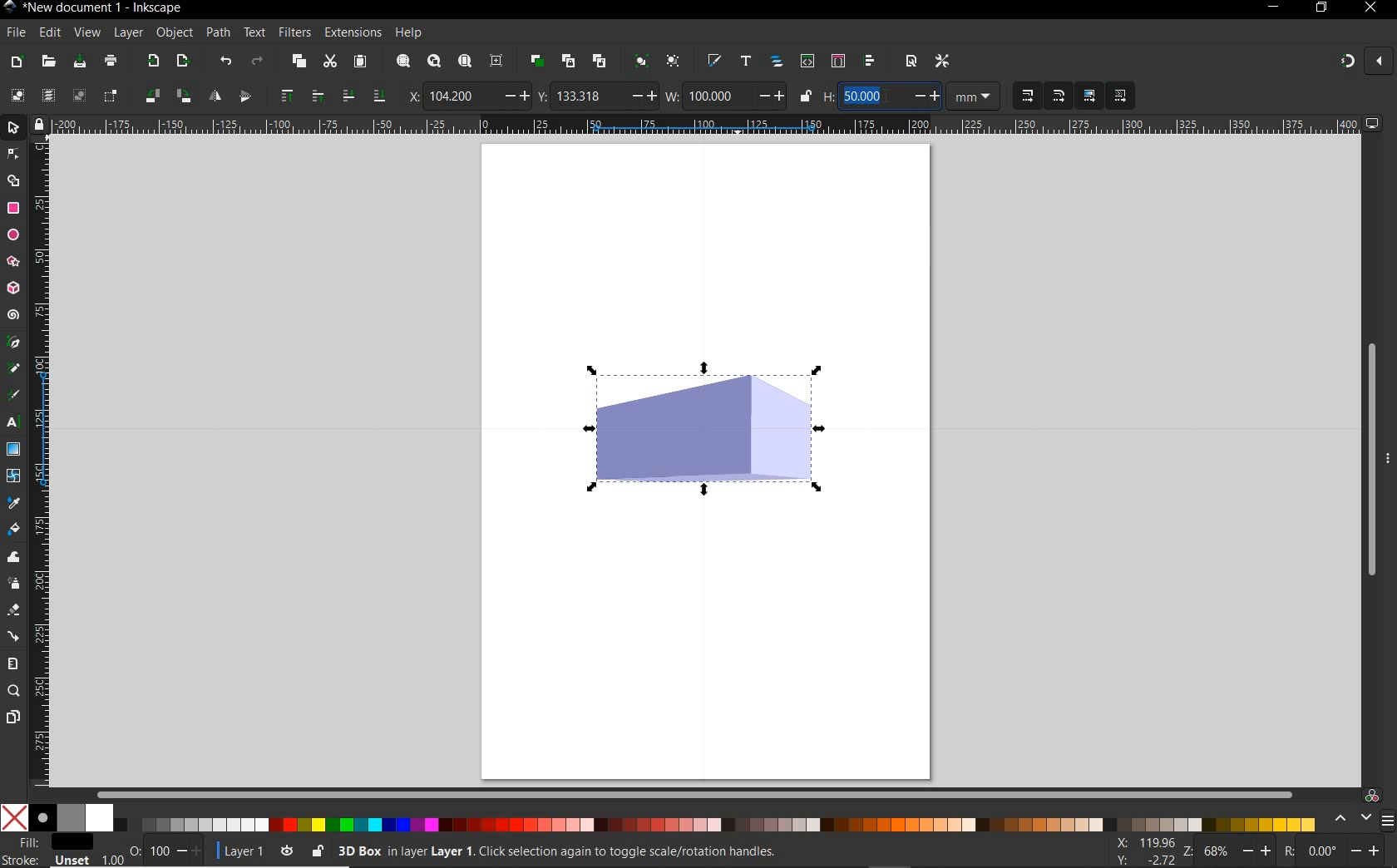 This screenshot has width=1397, height=868. I want to click on spiral tool, so click(12, 314).